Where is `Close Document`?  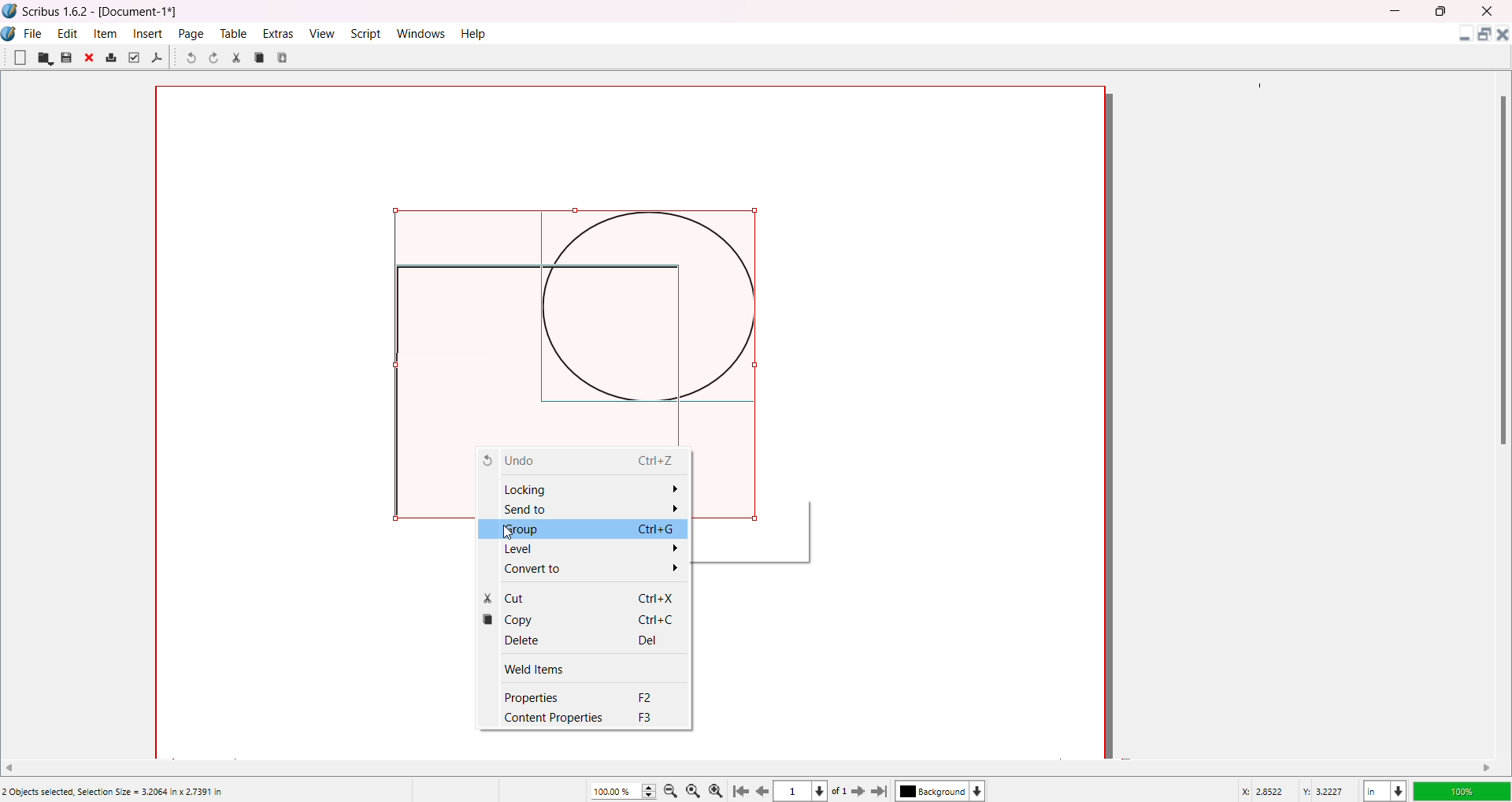
Close Document is located at coordinates (1503, 37).